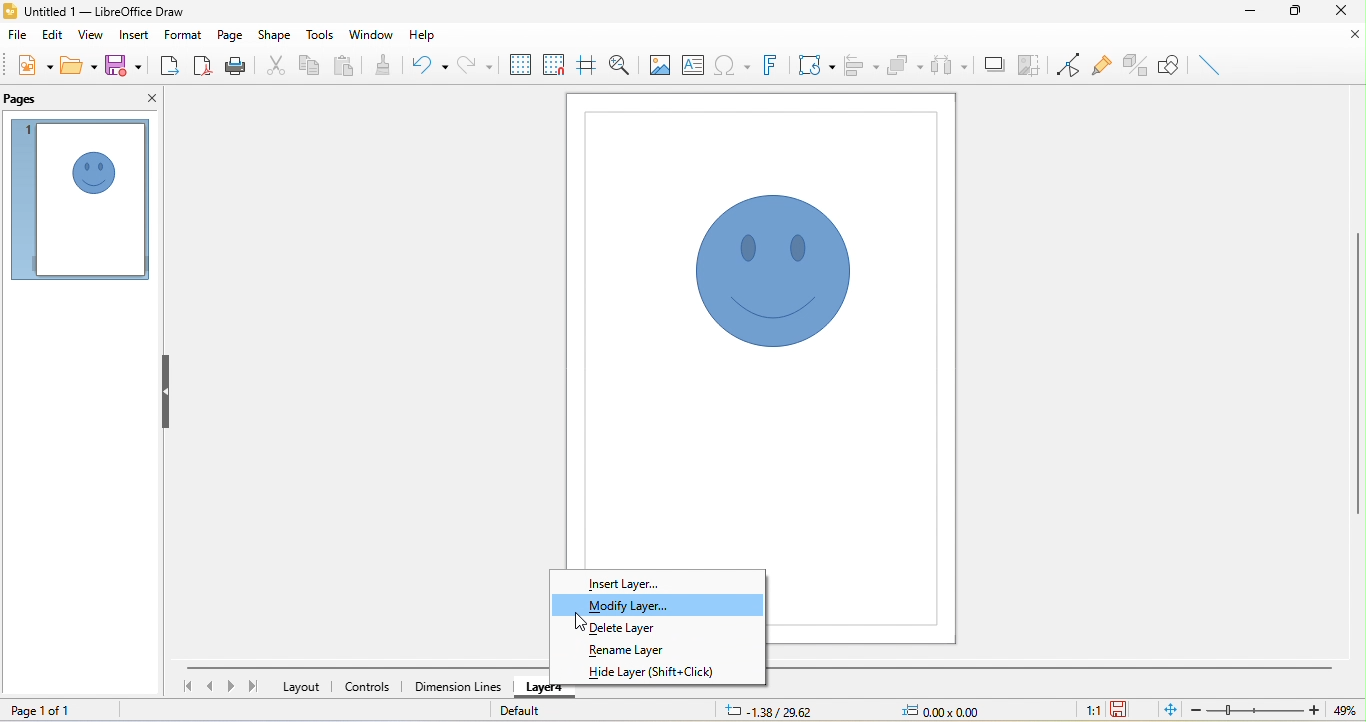 This screenshot has width=1366, height=722. I want to click on file, so click(18, 38).